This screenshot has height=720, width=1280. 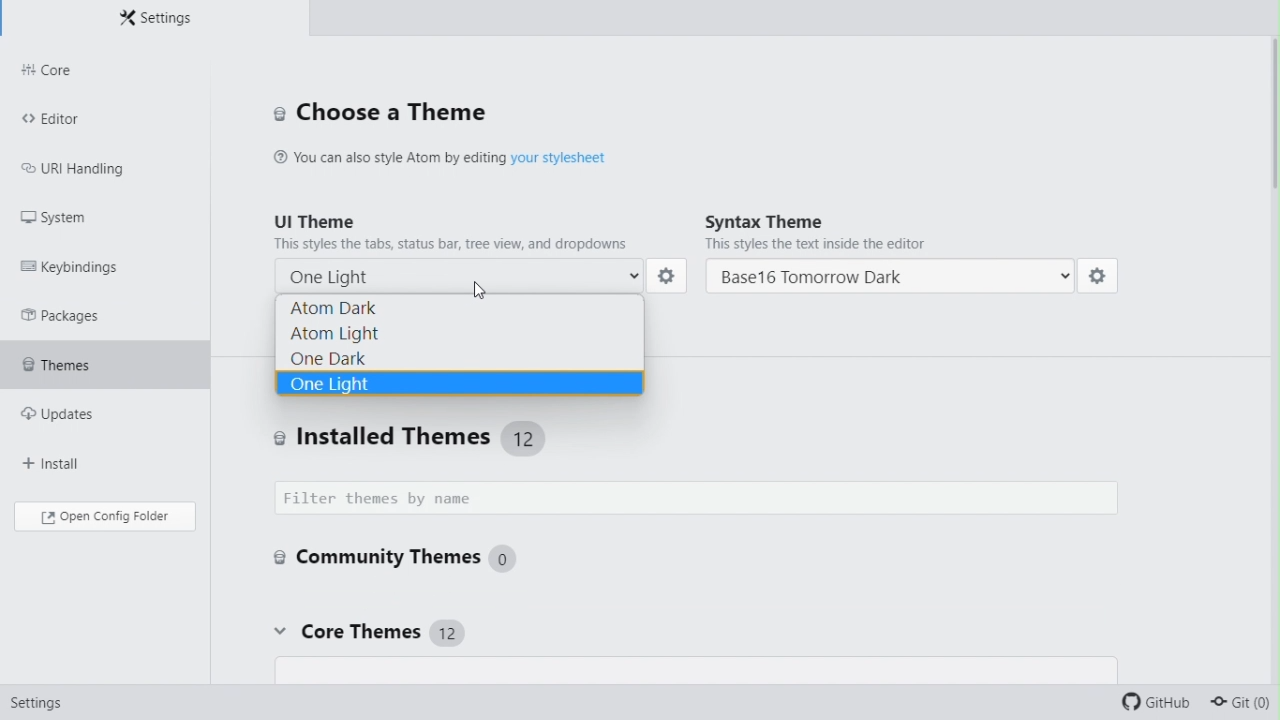 What do you see at coordinates (82, 263) in the screenshot?
I see `key Bindings` at bounding box center [82, 263].